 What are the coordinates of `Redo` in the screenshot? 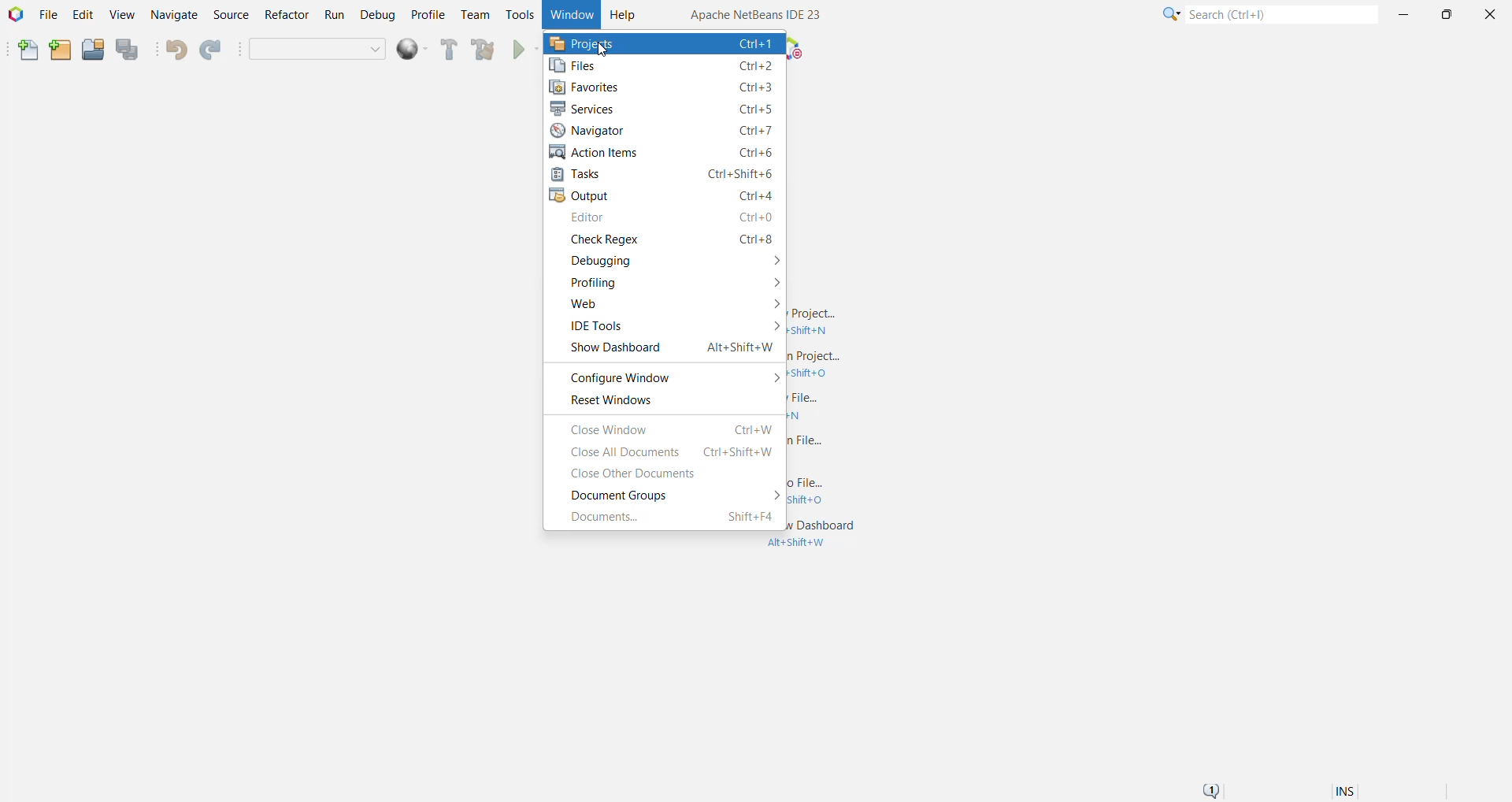 It's located at (214, 50).